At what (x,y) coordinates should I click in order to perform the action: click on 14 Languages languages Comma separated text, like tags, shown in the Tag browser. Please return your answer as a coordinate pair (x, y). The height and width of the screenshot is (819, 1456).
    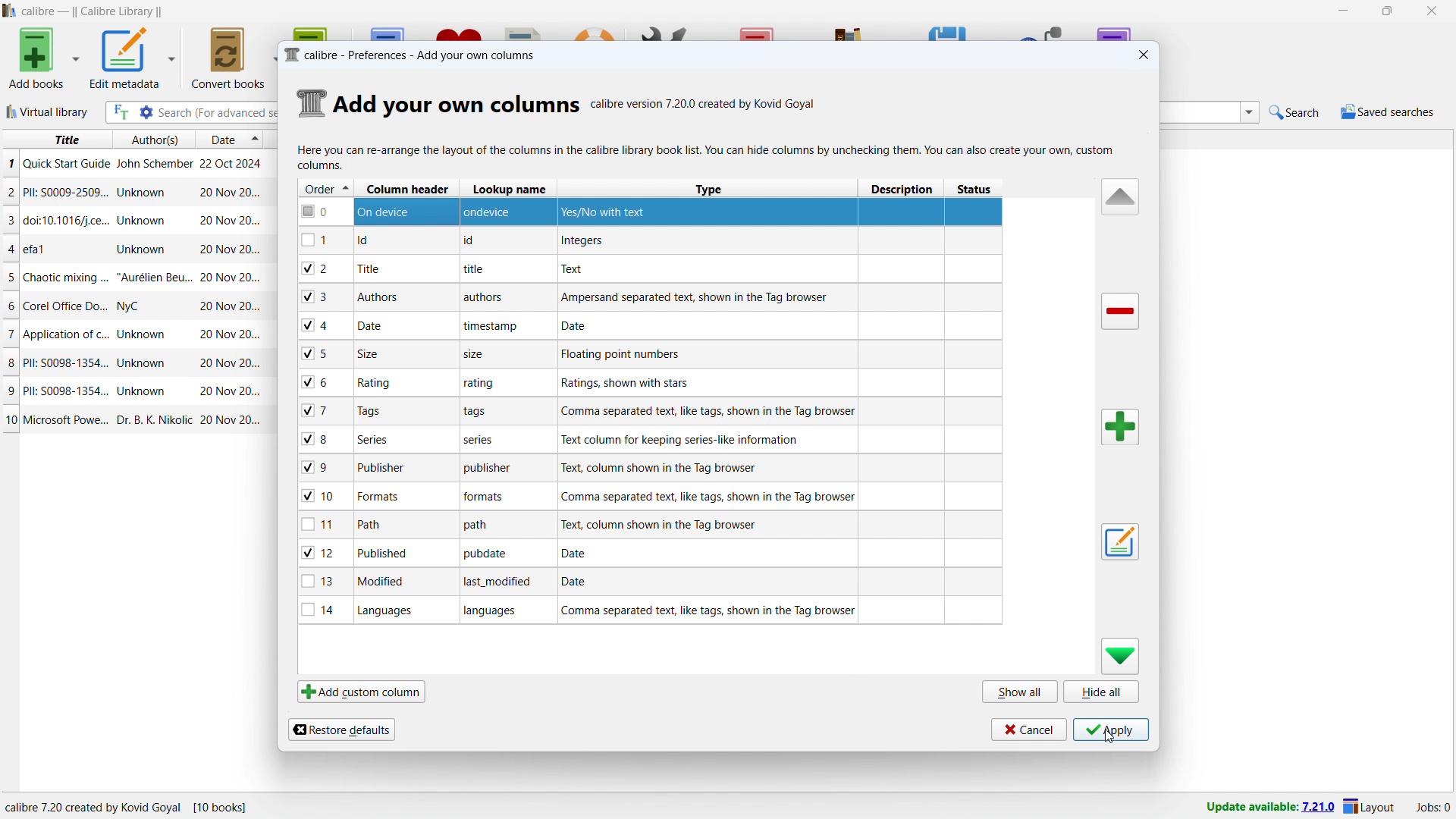
    Looking at the image, I should click on (652, 613).